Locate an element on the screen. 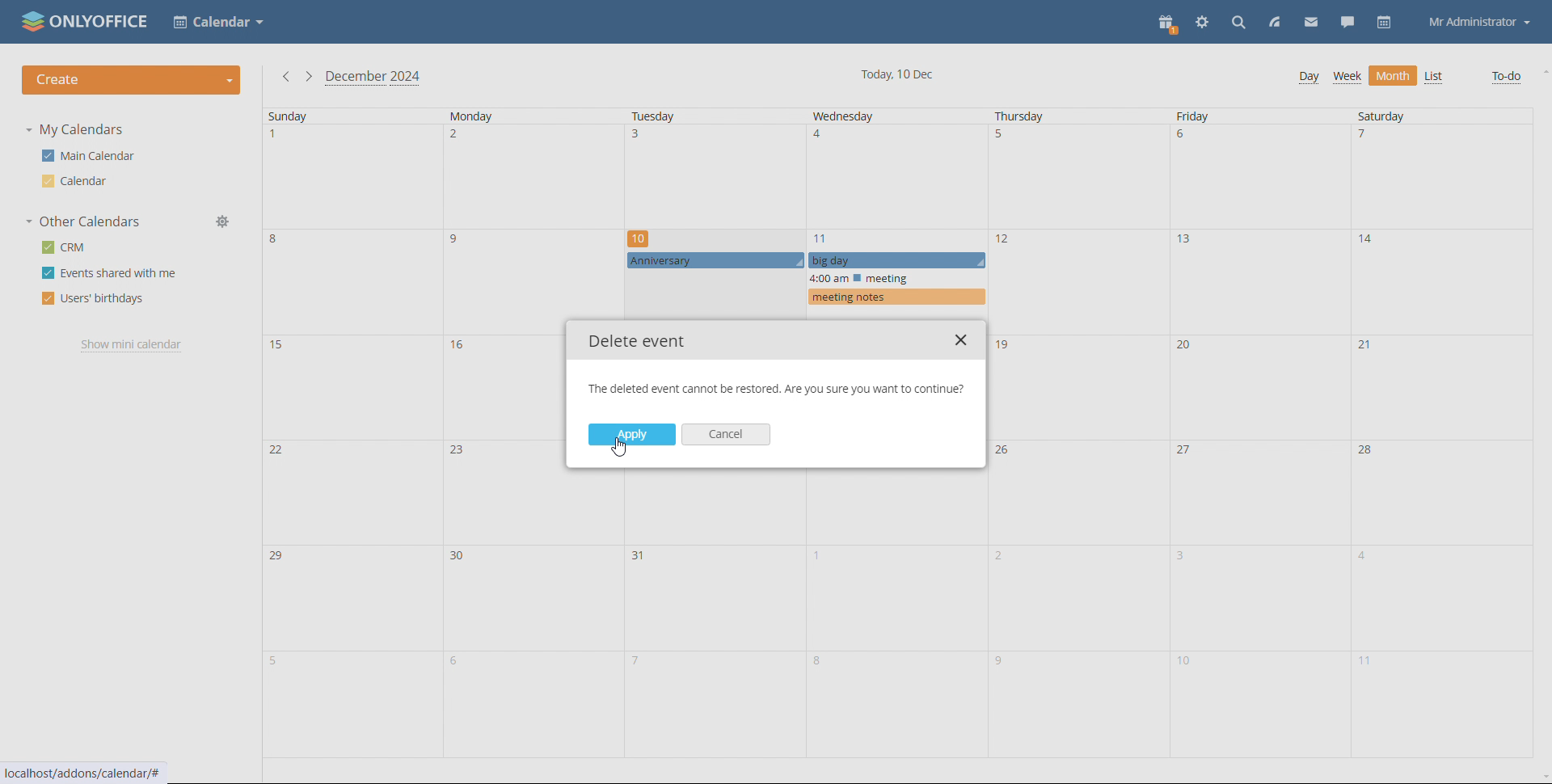 This screenshot has width=1552, height=784. main calendar is located at coordinates (91, 155).